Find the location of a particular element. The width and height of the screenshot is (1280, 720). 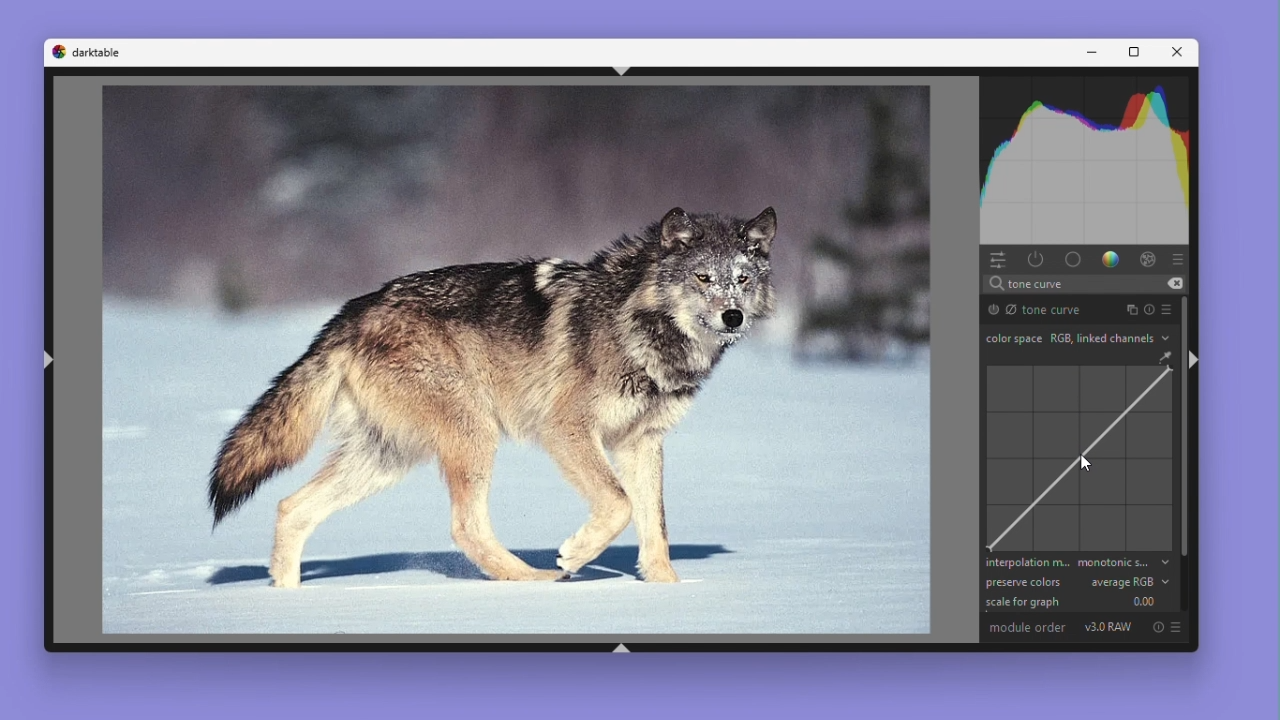

Instance is located at coordinates (1132, 309).